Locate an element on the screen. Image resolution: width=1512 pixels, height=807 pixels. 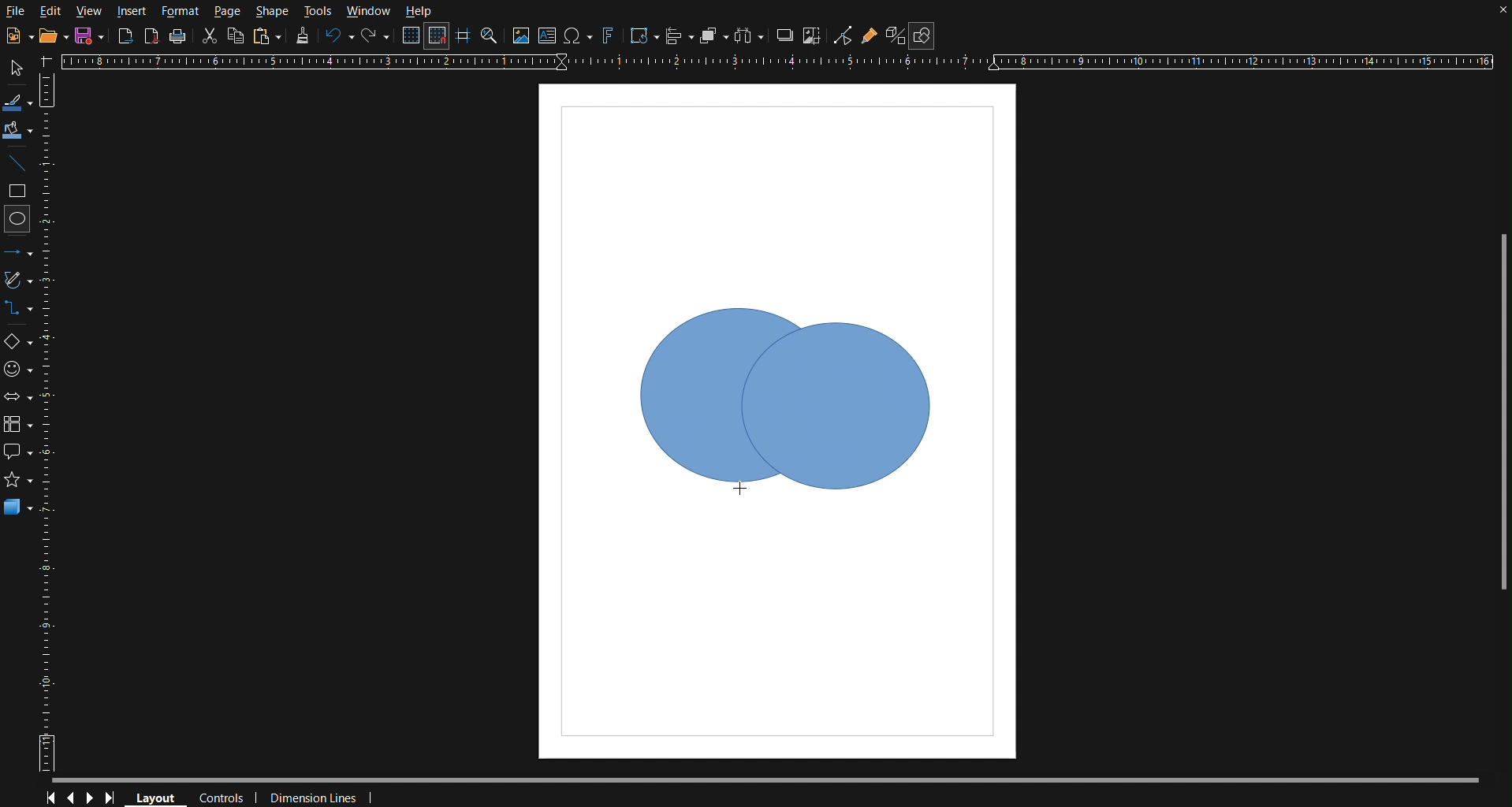
Crop Images is located at coordinates (814, 36).